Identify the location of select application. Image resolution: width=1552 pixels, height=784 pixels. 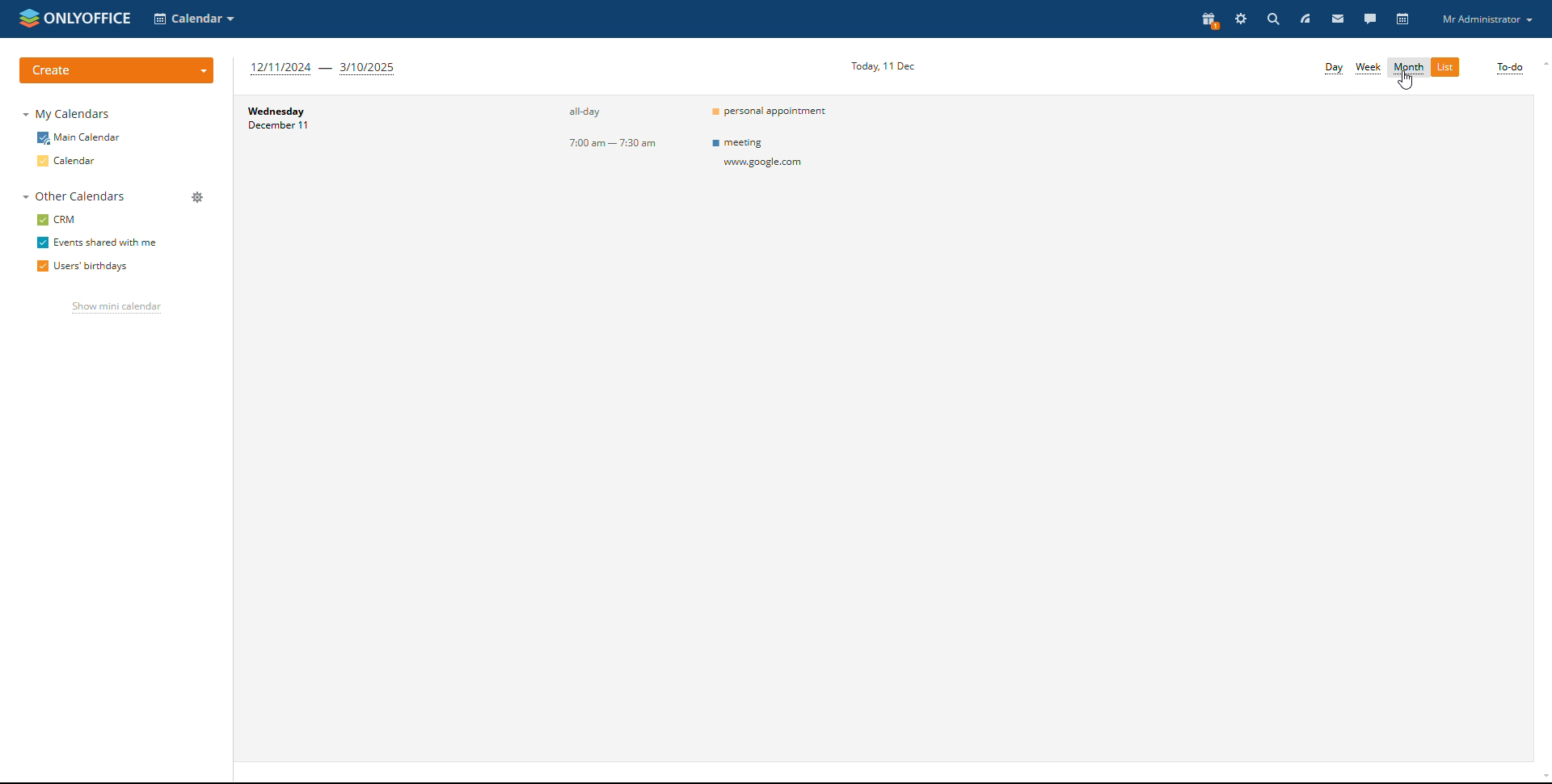
(196, 19).